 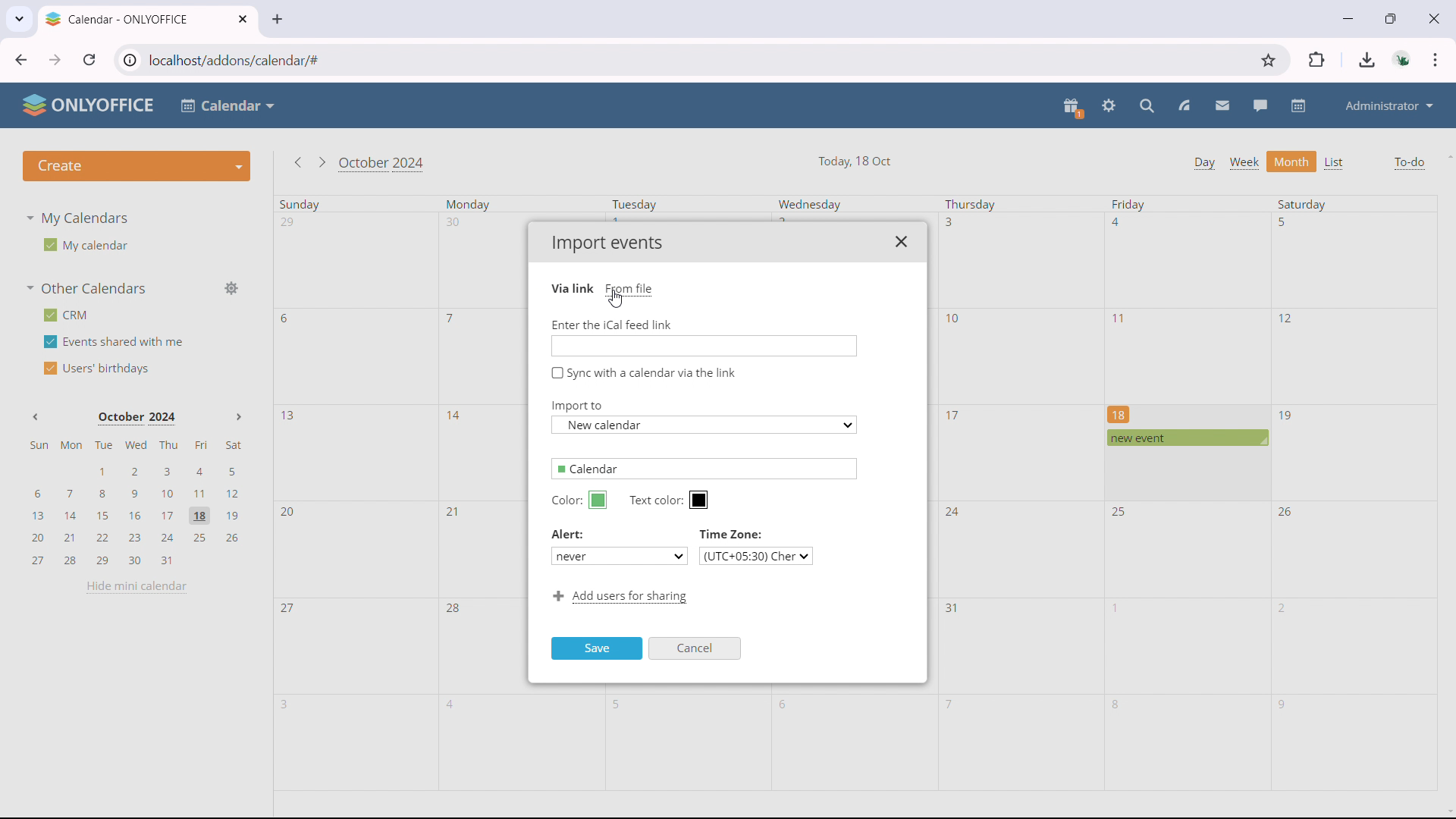 I want to click on Color:, so click(x=584, y=499).